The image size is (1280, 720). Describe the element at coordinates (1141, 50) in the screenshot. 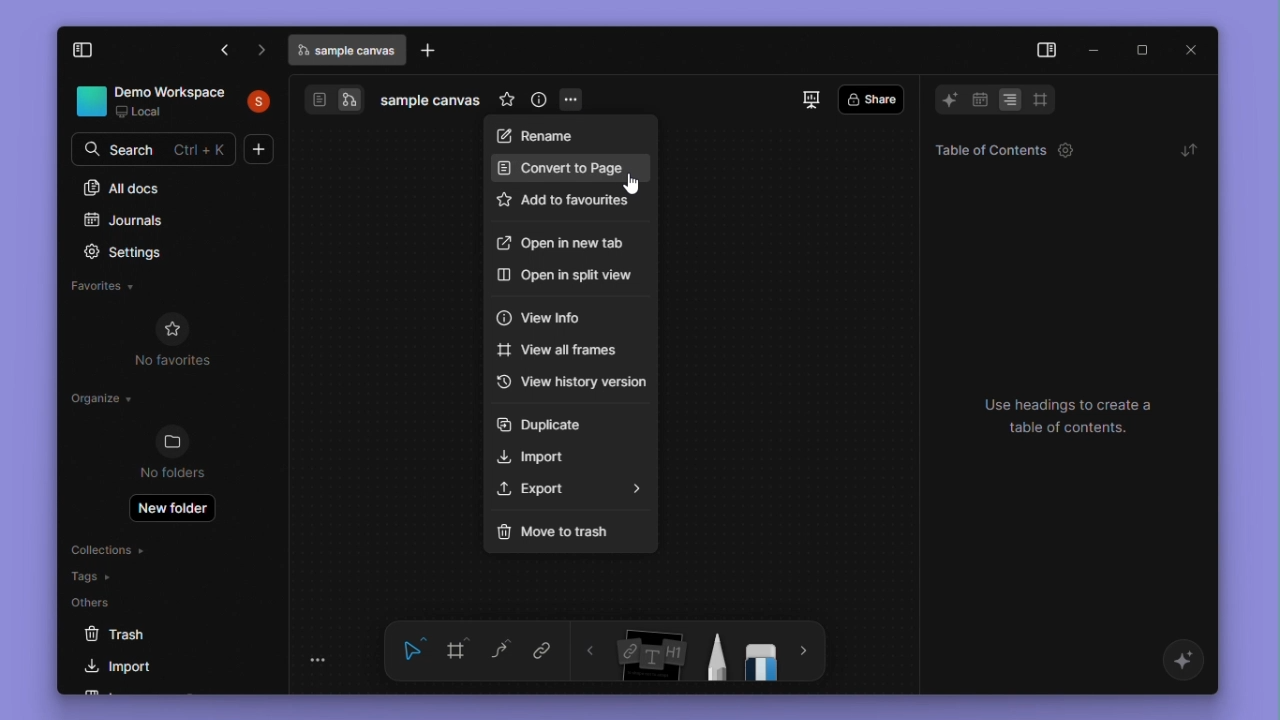

I see `Maximize` at that location.